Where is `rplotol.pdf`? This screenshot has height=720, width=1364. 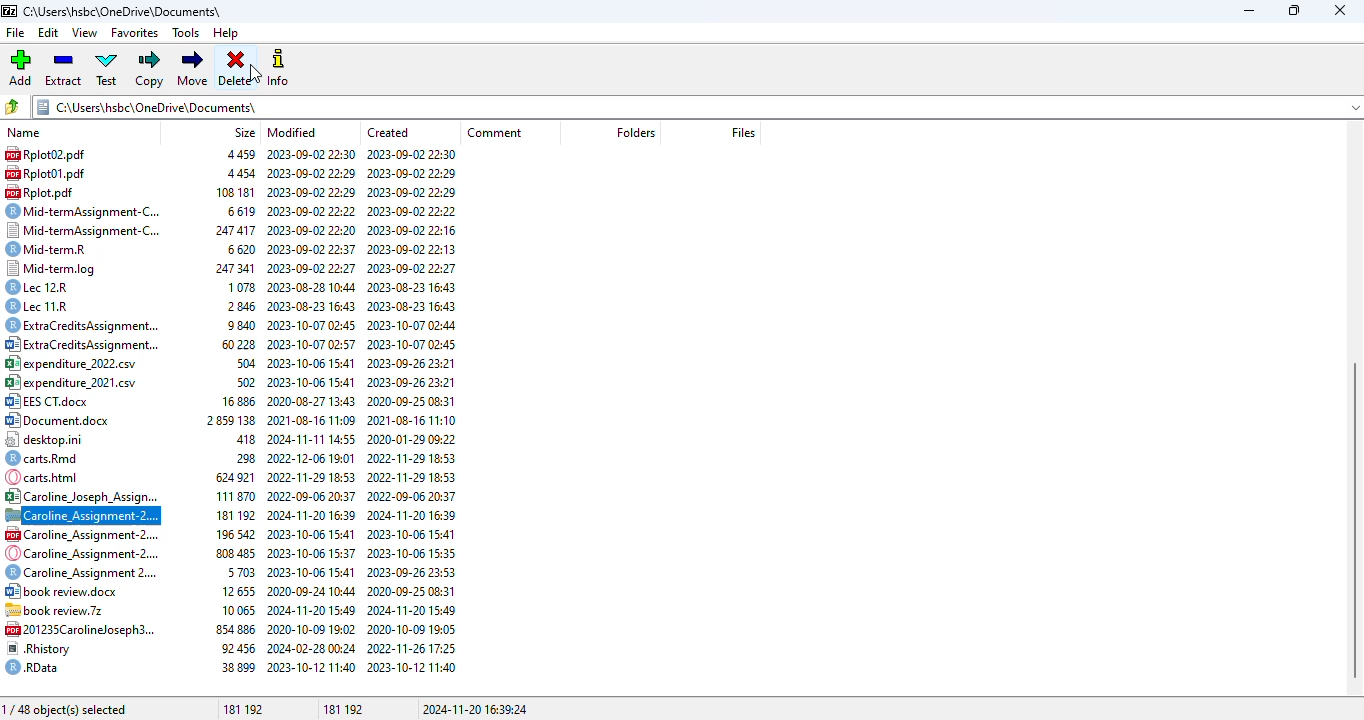
rplotol.pdf is located at coordinates (51, 174).